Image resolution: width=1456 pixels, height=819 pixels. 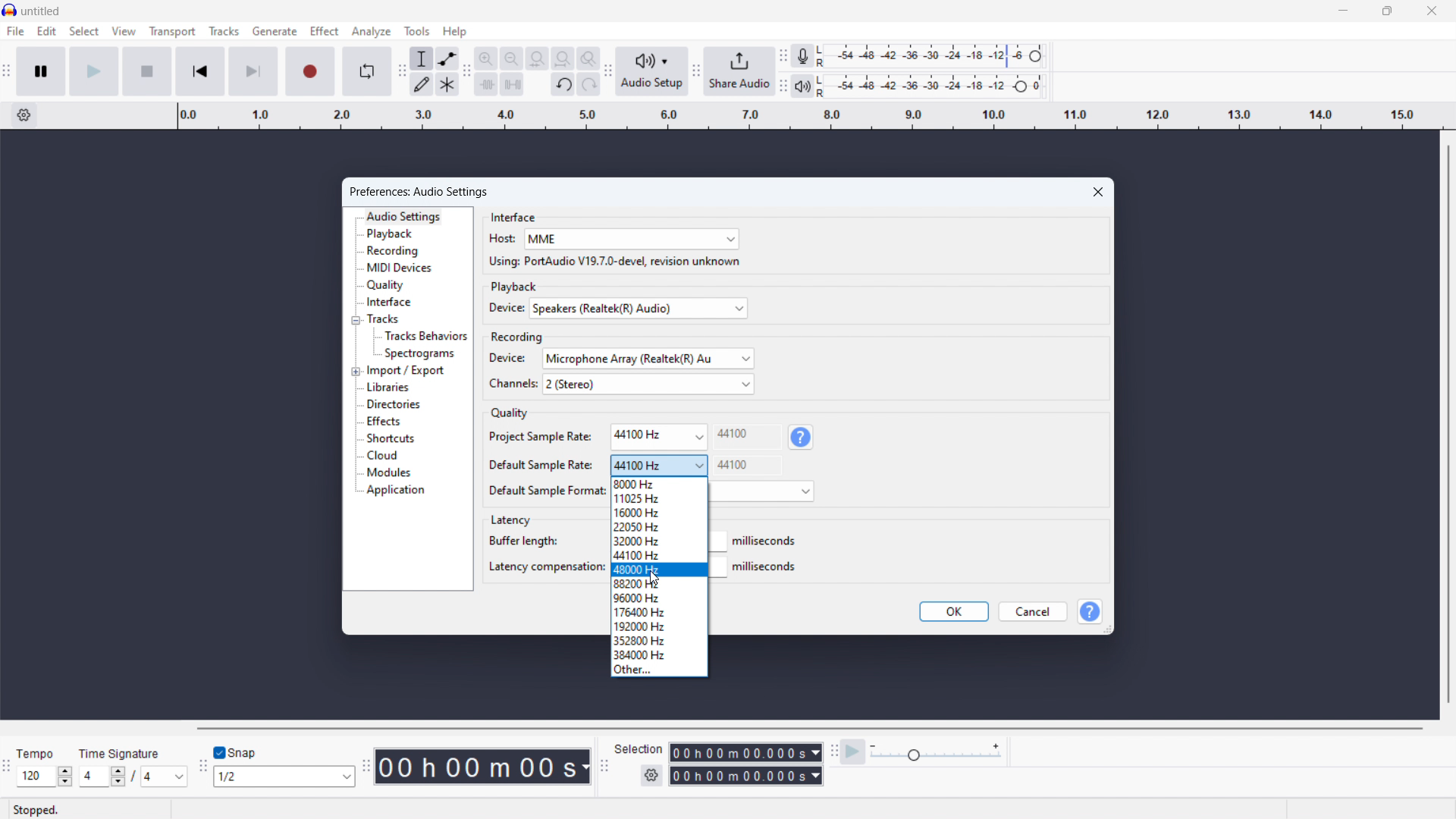 What do you see at coordinates (41, 11) in the screenshot?
I see `title` at bounding box center [41, 11].